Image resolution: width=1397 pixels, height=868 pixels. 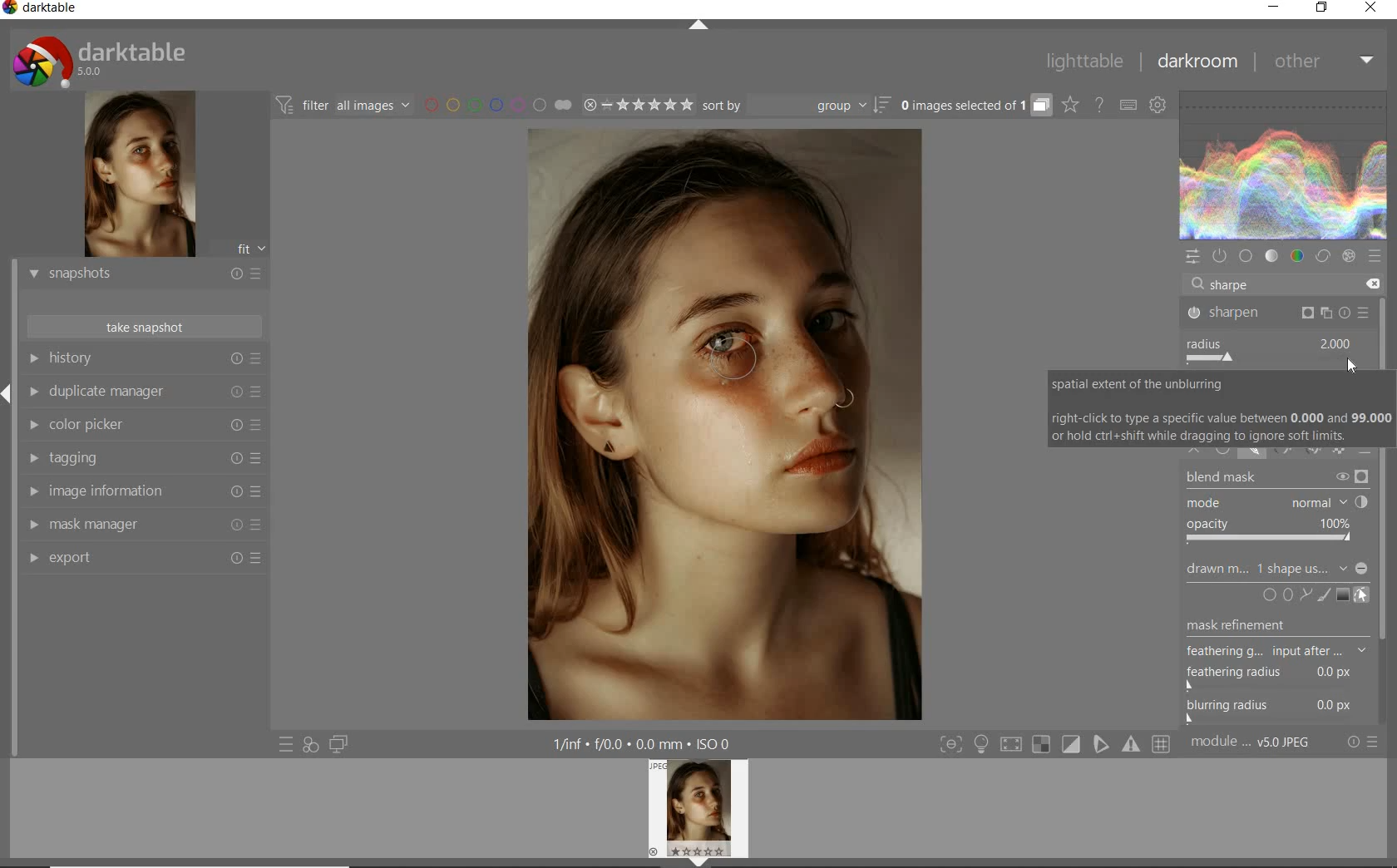 I want to click on spatial extent of the unblurring
right-click to type a specific value between 0.000 and 99.000
or hold cirl+shift while dragging to ignore soft limits., so click(x=1220, y=407).